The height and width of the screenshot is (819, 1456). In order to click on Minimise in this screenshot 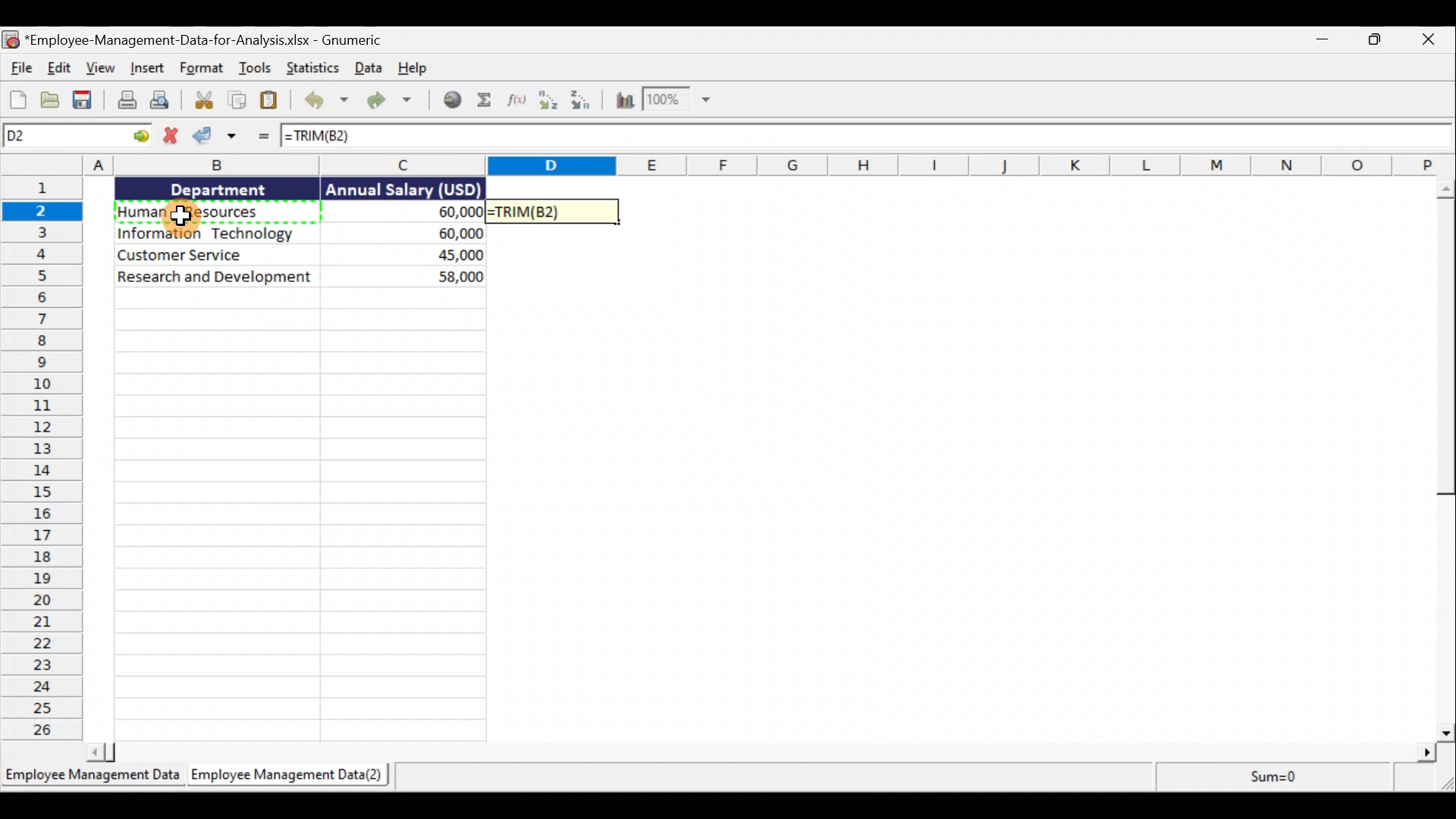, I will do `click(1320, 42)`.